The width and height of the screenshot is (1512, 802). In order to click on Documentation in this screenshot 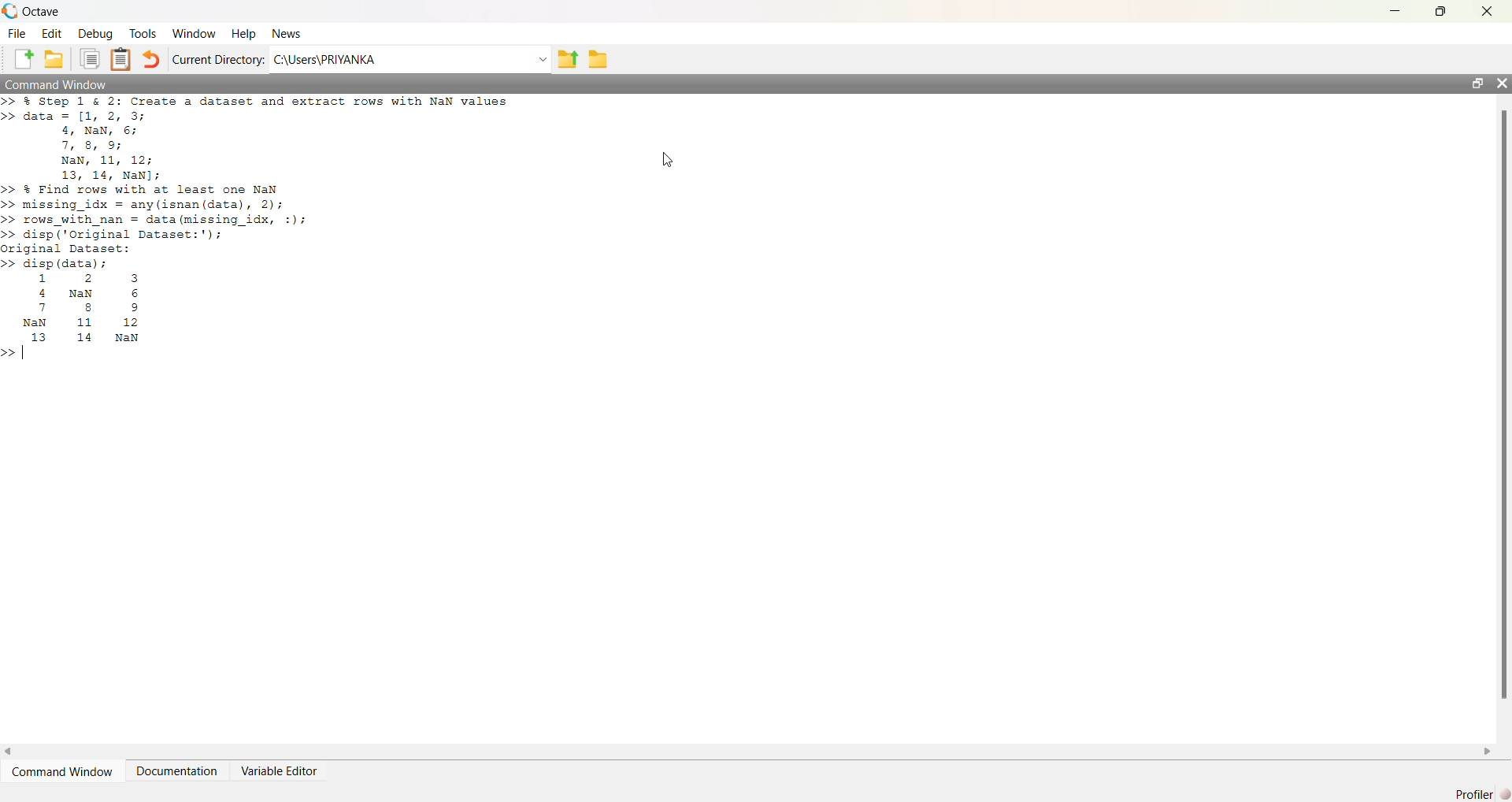, I will do `click(176, 771)`.